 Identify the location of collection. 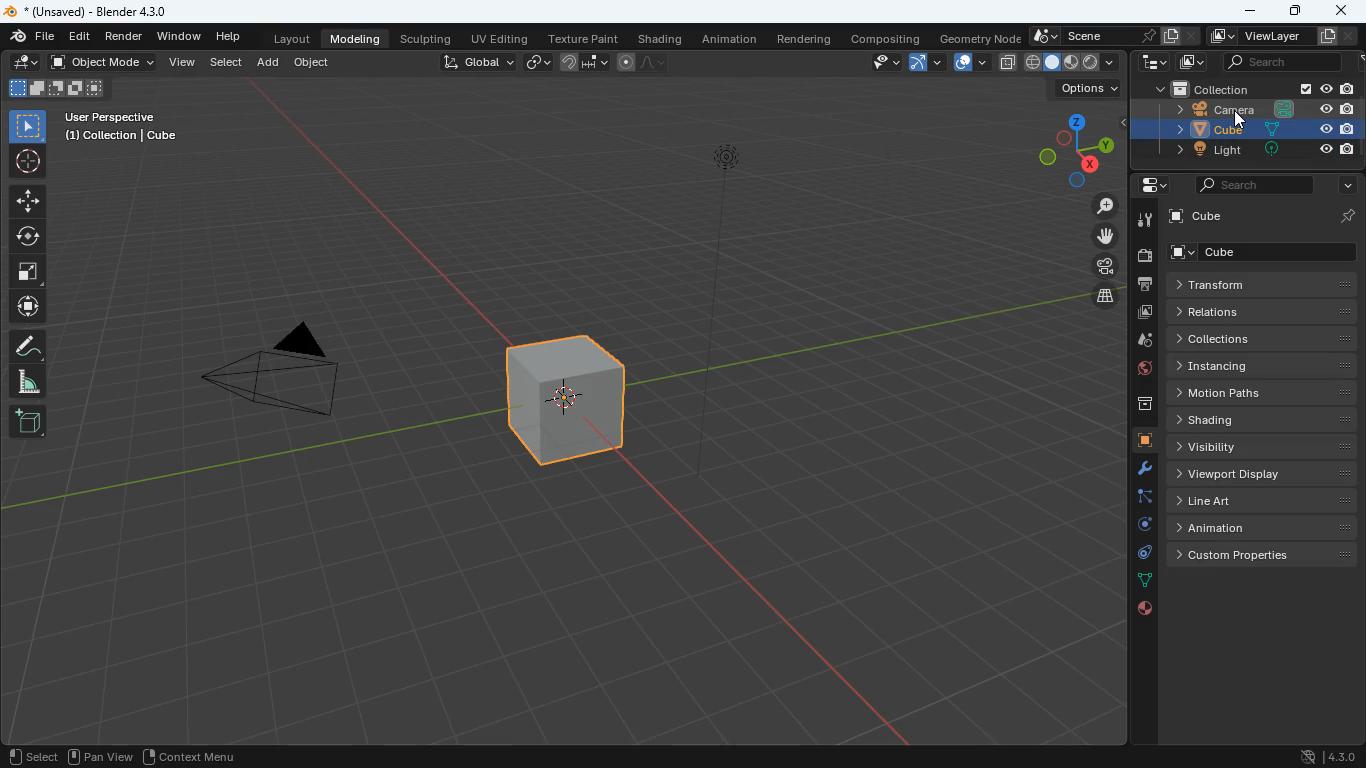
(1254, 88).